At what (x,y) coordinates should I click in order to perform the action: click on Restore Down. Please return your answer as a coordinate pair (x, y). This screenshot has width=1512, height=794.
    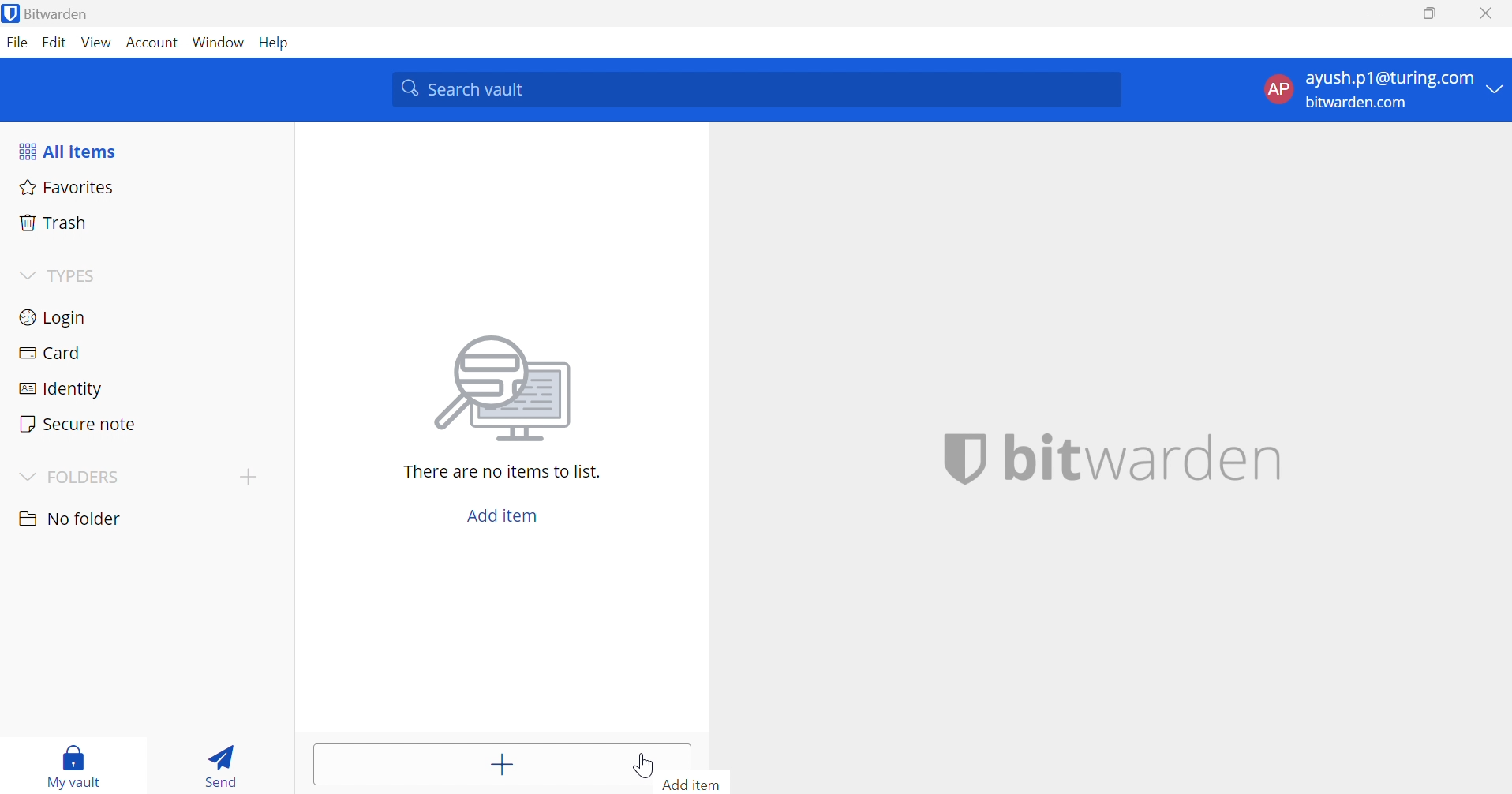
    Looking at the image, I should click on (1428, 15).